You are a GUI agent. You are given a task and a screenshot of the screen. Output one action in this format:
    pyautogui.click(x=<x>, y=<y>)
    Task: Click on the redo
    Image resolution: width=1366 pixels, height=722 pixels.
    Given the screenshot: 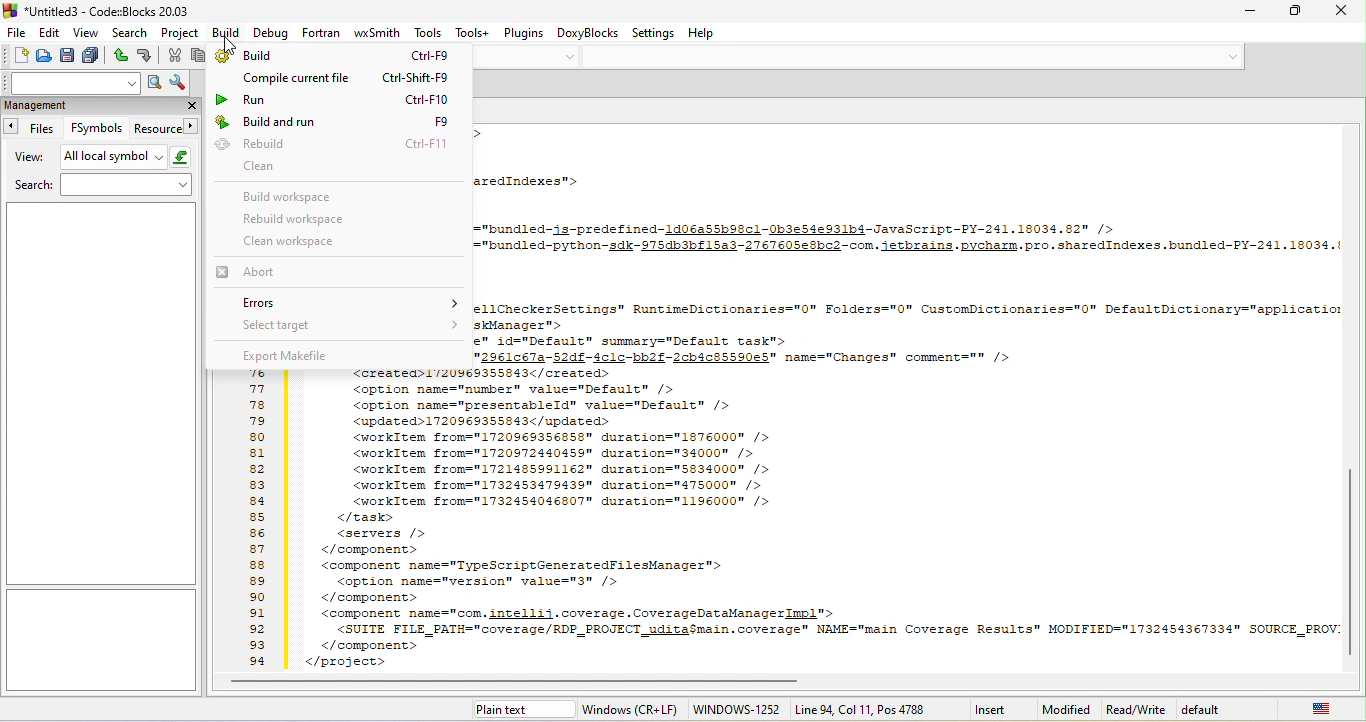 What is the action you would take?
    pyautogui.click(x=149, y=55)
    